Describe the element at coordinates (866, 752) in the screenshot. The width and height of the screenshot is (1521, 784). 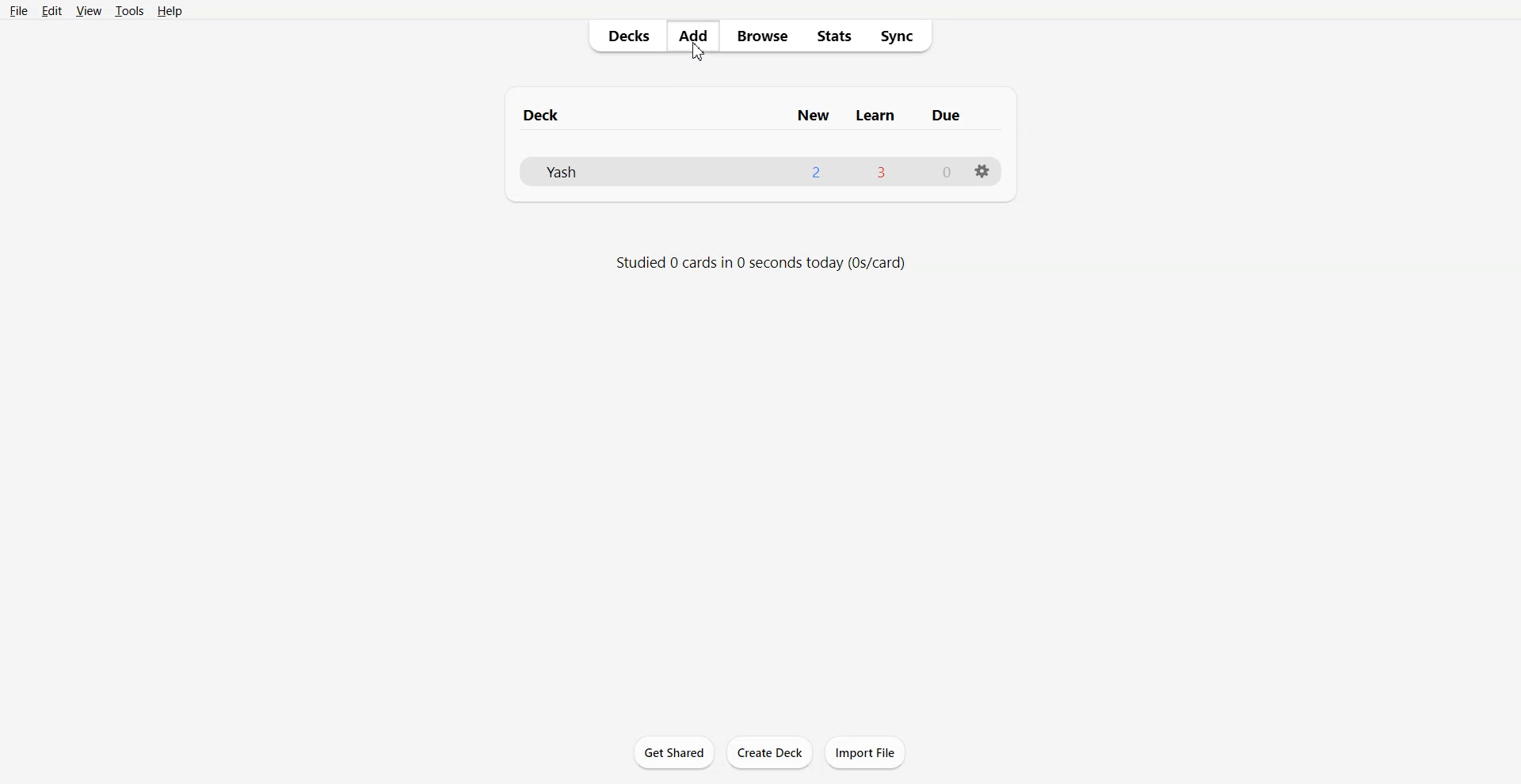
I see `Import File` at that location.